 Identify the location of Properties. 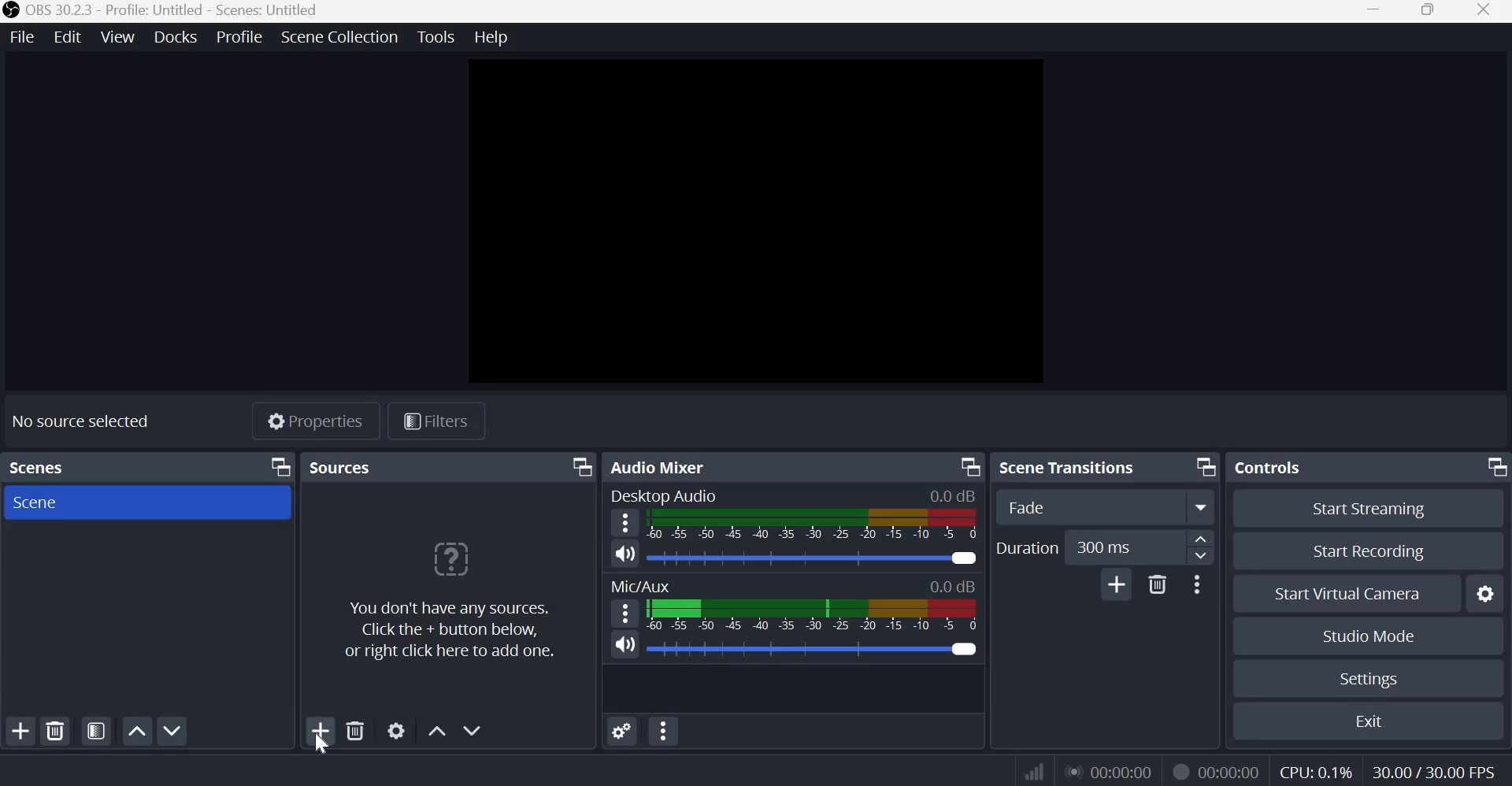
(314, 421).